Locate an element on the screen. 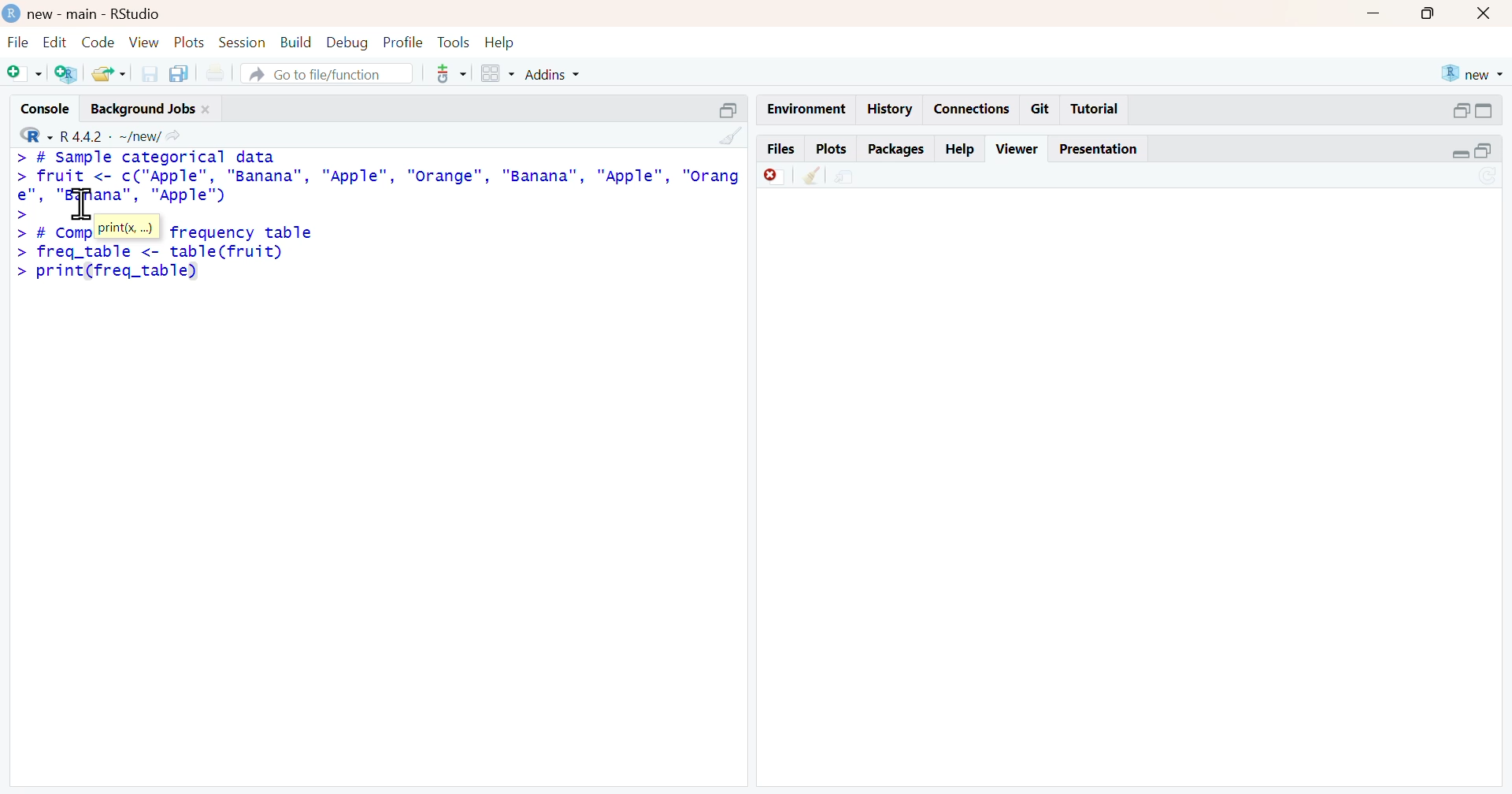 This screenshot has height=794, width=1512. save current document is located at coordinates (152, 75).